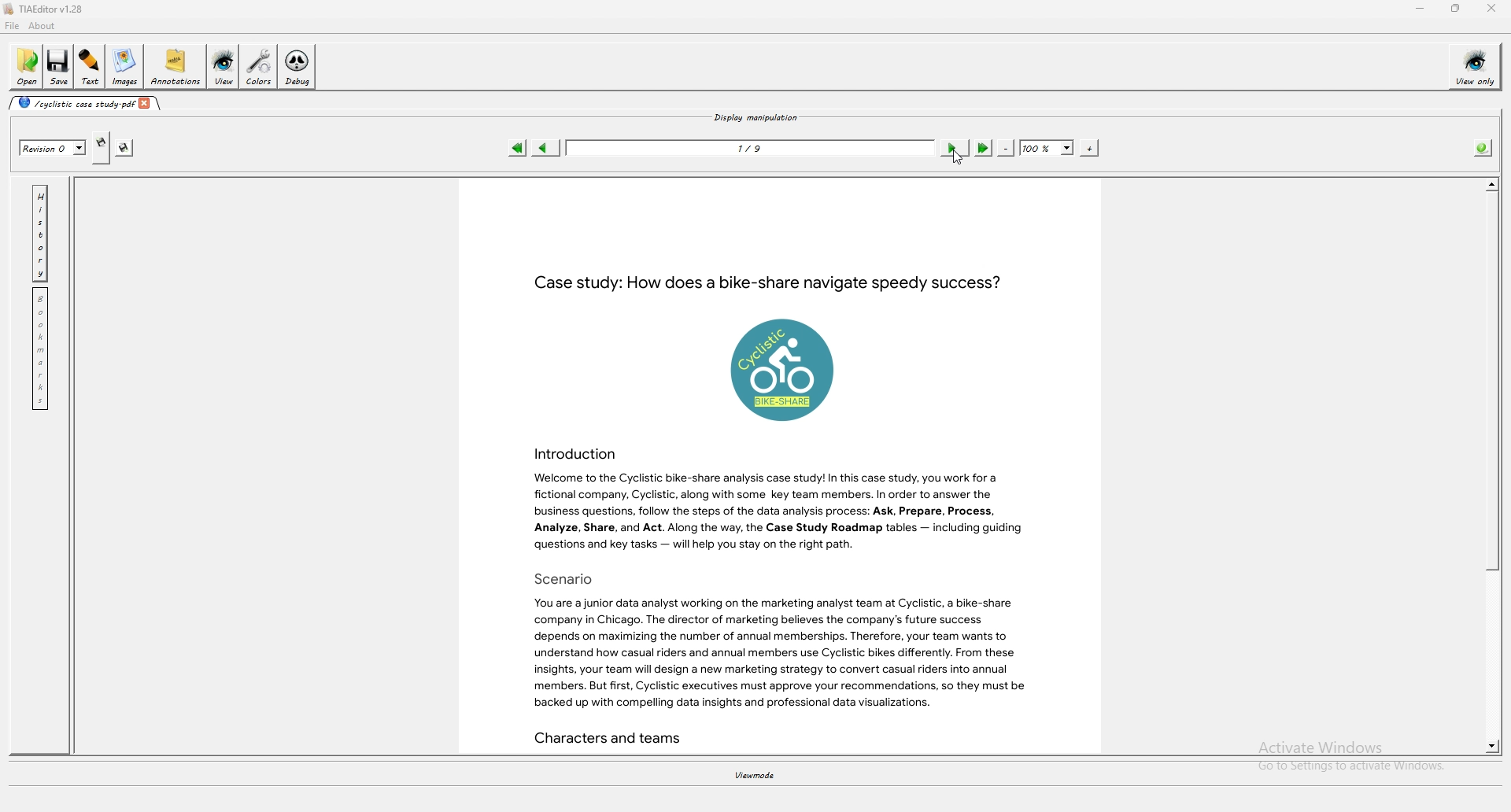 This screenshot has height=812, width=1511. What do you see at coordinates (1005, 147) in the screenshot?
I see `zoom out` at bounding box center [1005, 147].